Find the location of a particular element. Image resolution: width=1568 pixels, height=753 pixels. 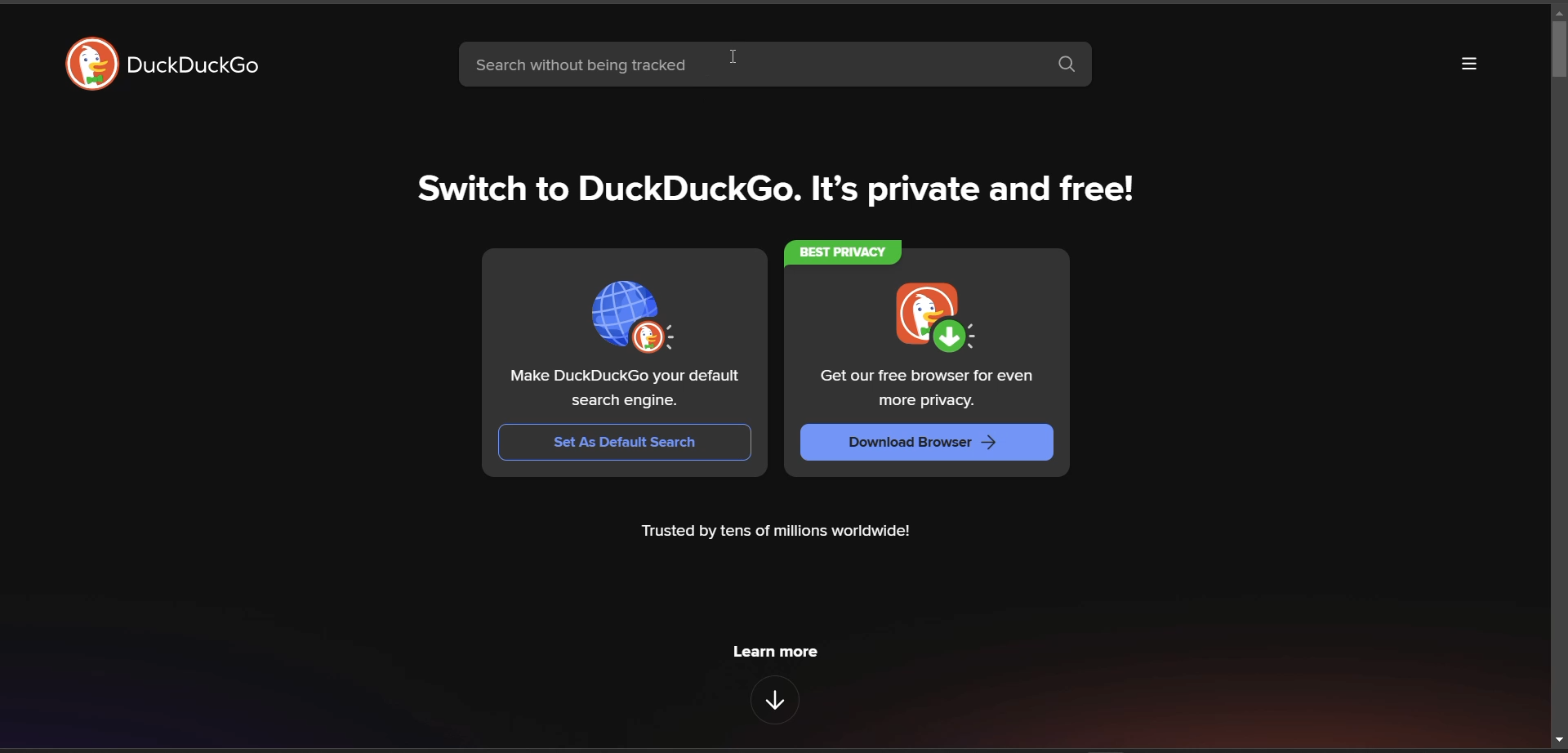

logo is located at coordinates (91, 64).